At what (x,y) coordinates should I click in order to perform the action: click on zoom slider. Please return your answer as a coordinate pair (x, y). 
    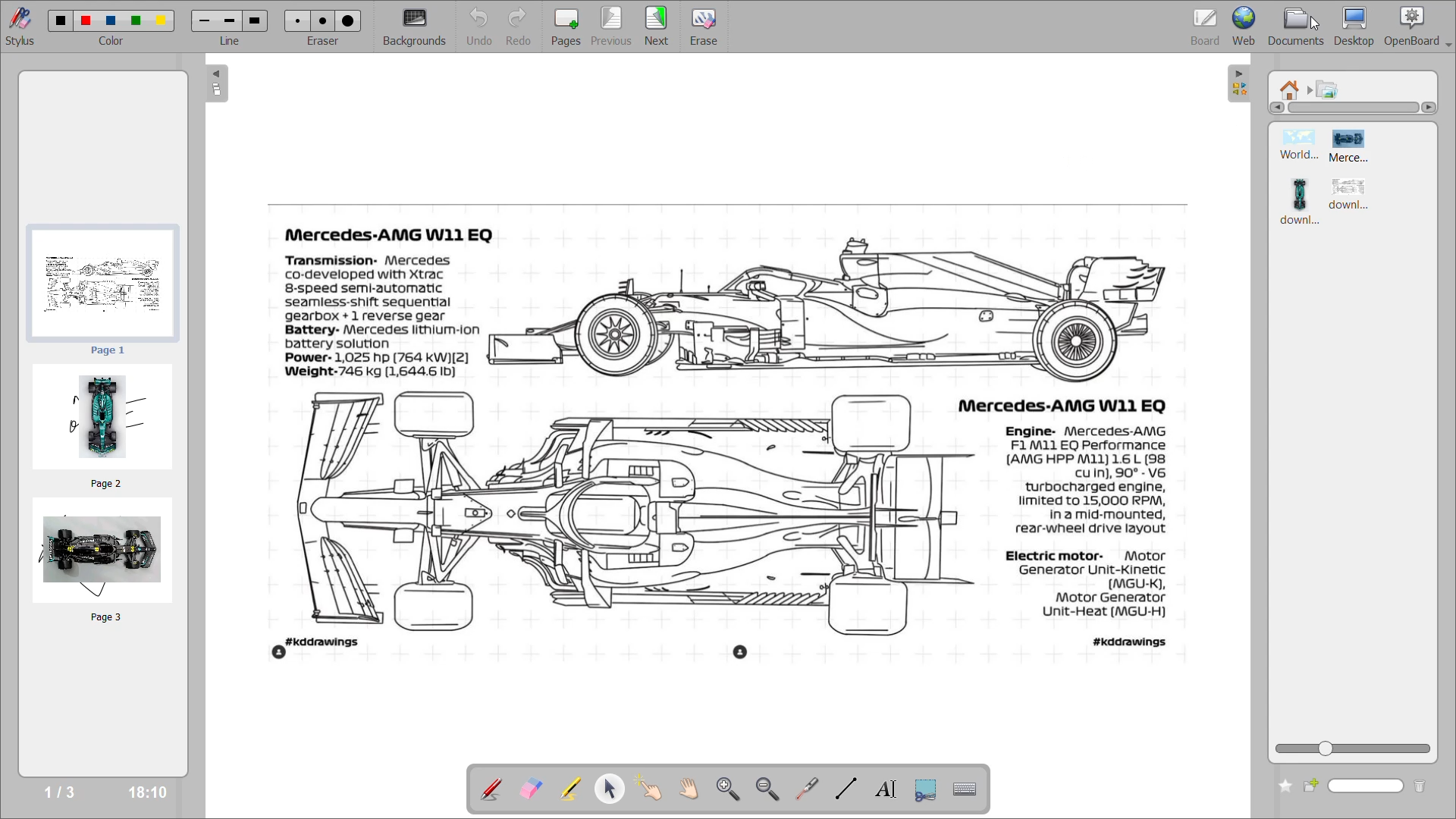
    Looking at the image, I should click on (1352, 749).